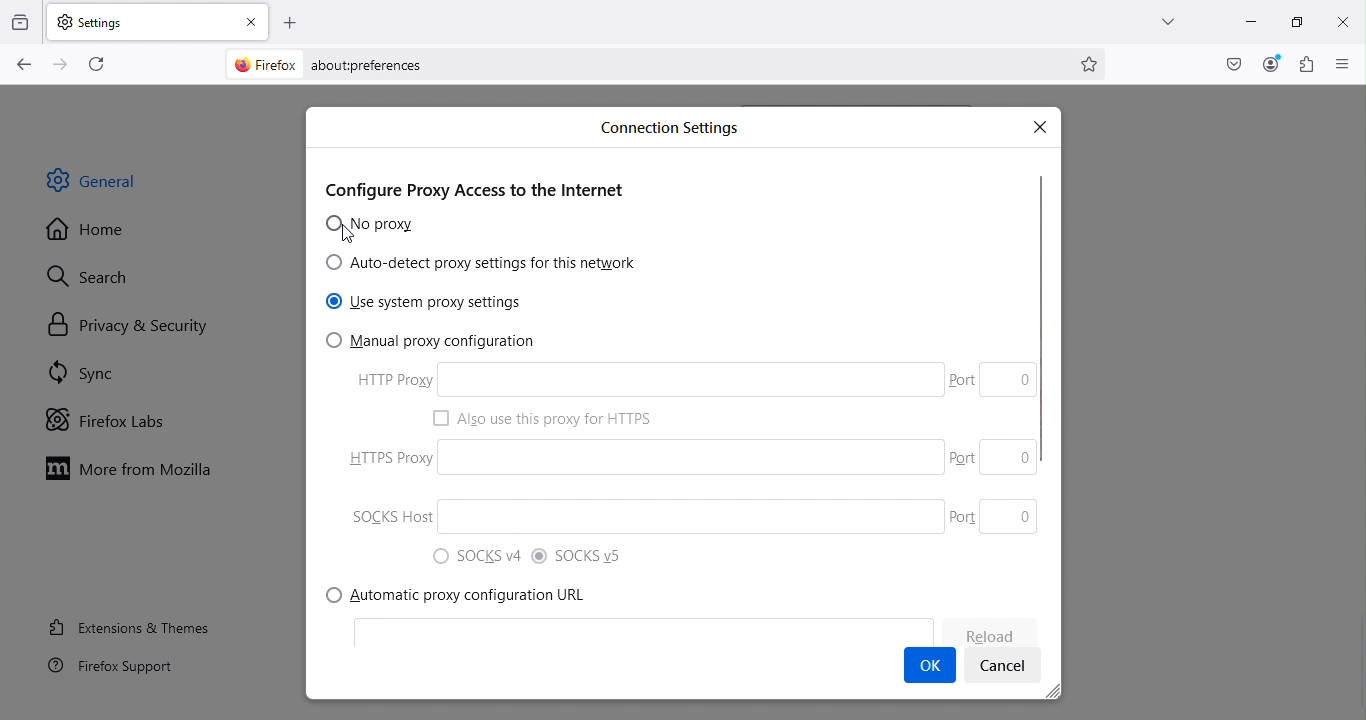 Image resolution: width=1366 pixels, height=720 pixels. Describe the element at coordinates (478, 557) in the screenshot. I see `SOCKS v4` at that location.